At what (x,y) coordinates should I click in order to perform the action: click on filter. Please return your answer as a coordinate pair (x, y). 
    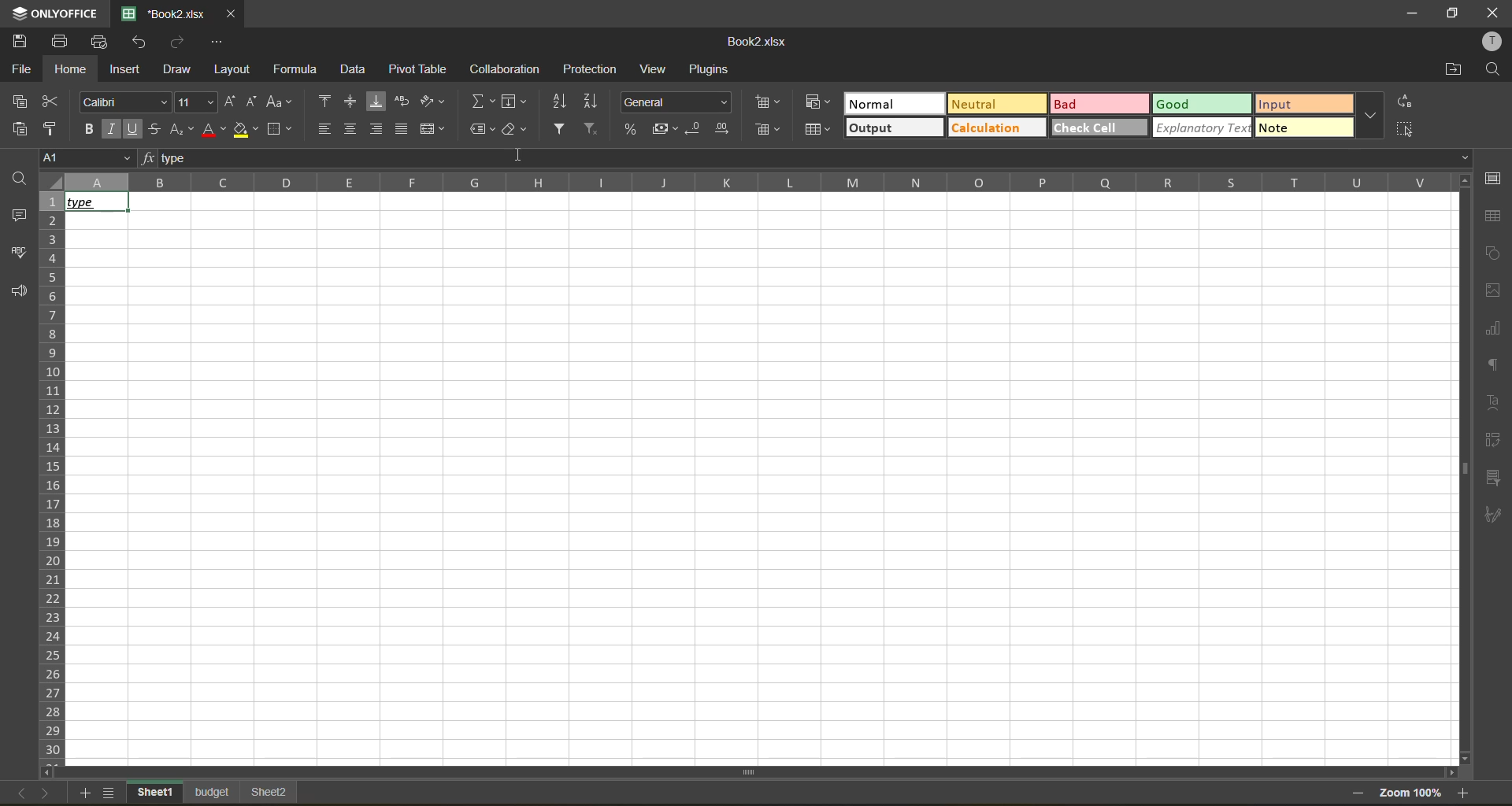
    Looking at the image, I should click on (559, 129).